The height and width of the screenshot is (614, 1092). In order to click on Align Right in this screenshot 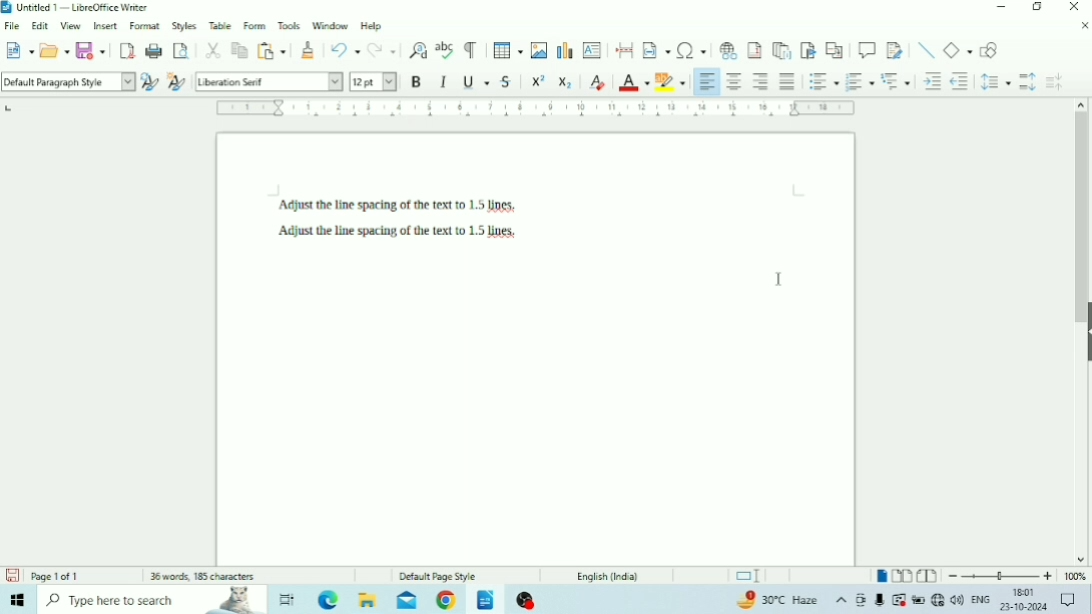, I will do `click(759, 82)`.